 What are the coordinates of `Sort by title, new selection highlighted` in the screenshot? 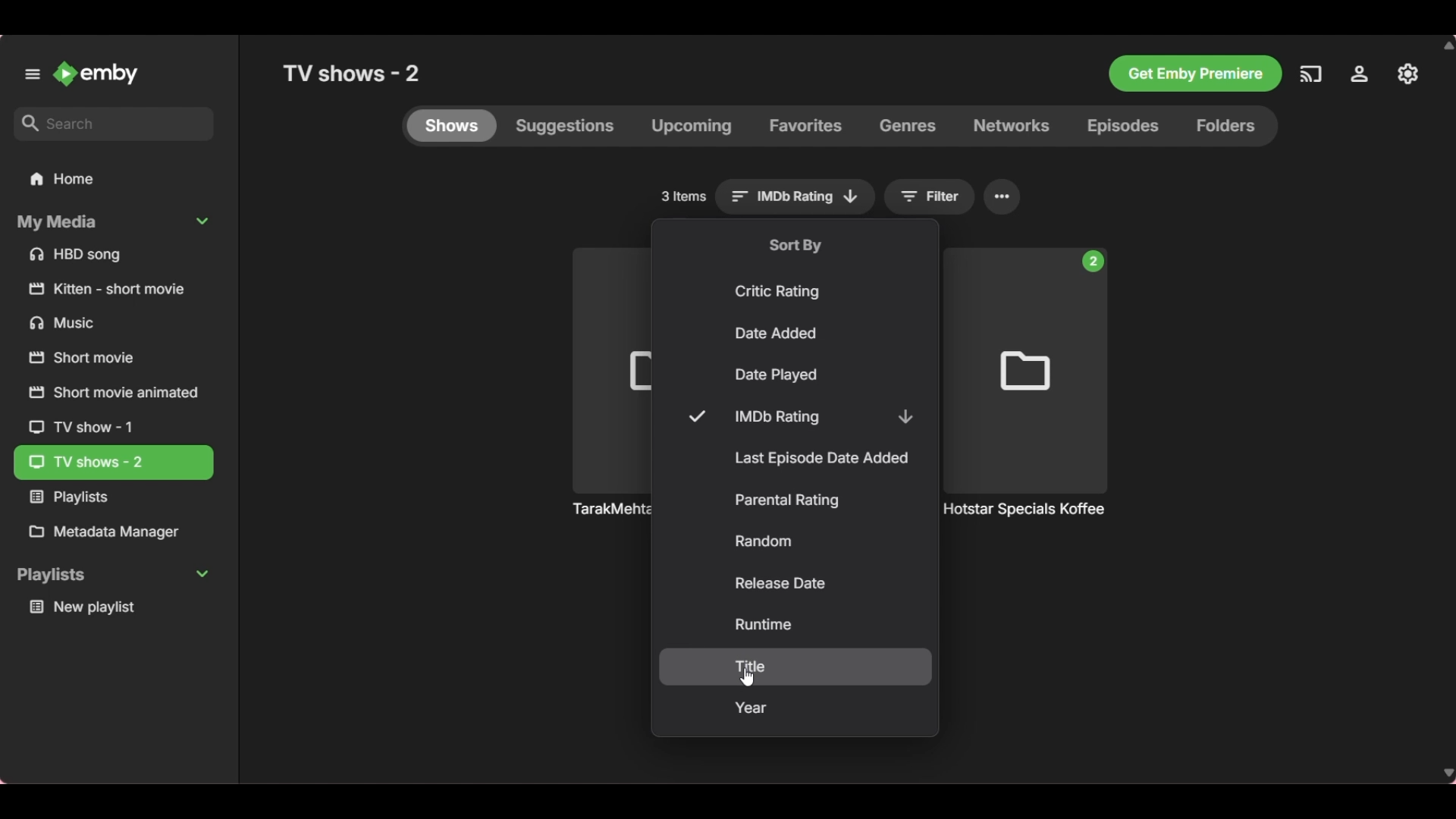 It's located at (795, 667).